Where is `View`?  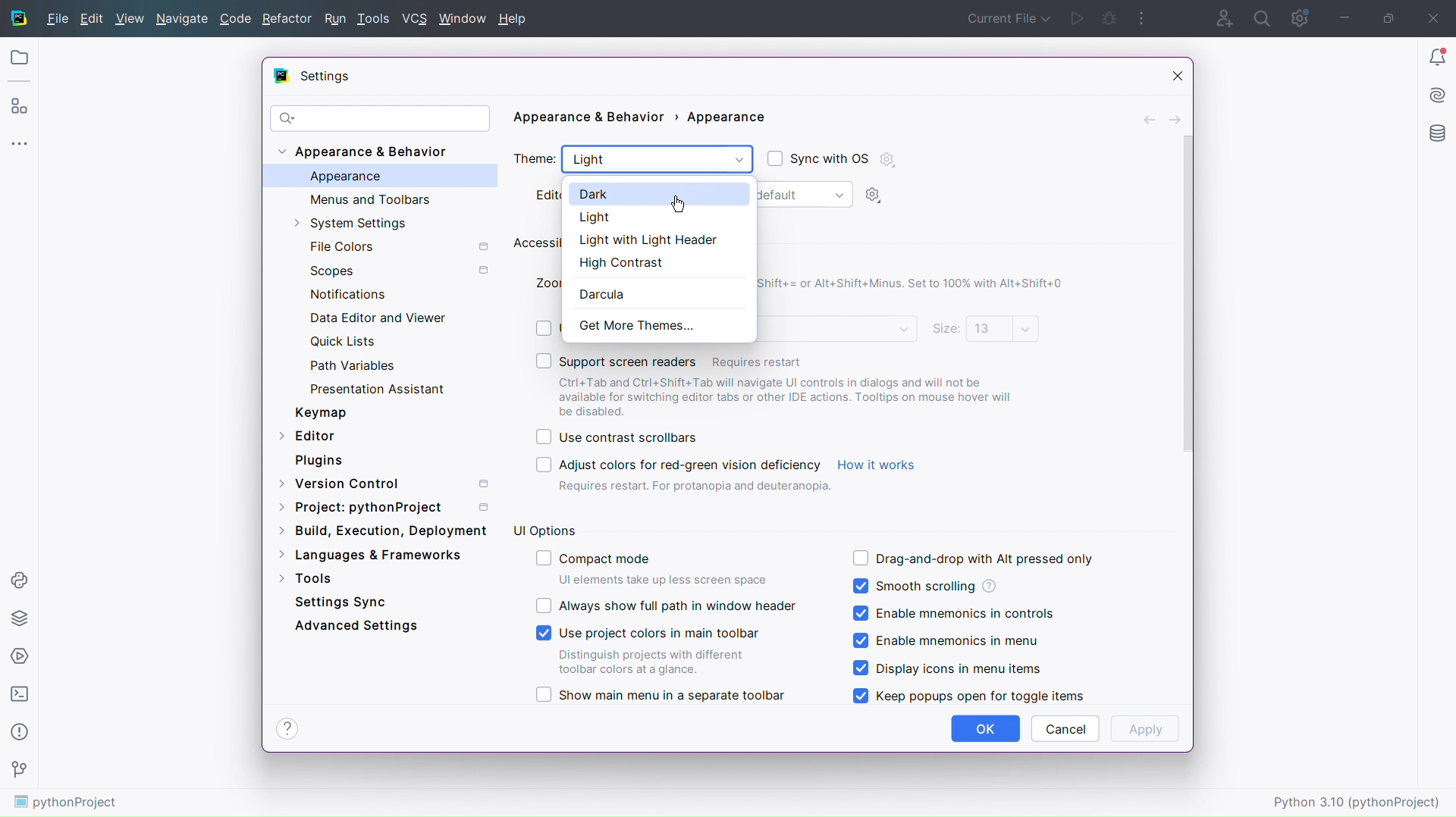
View is located at coordinates (130, 18).